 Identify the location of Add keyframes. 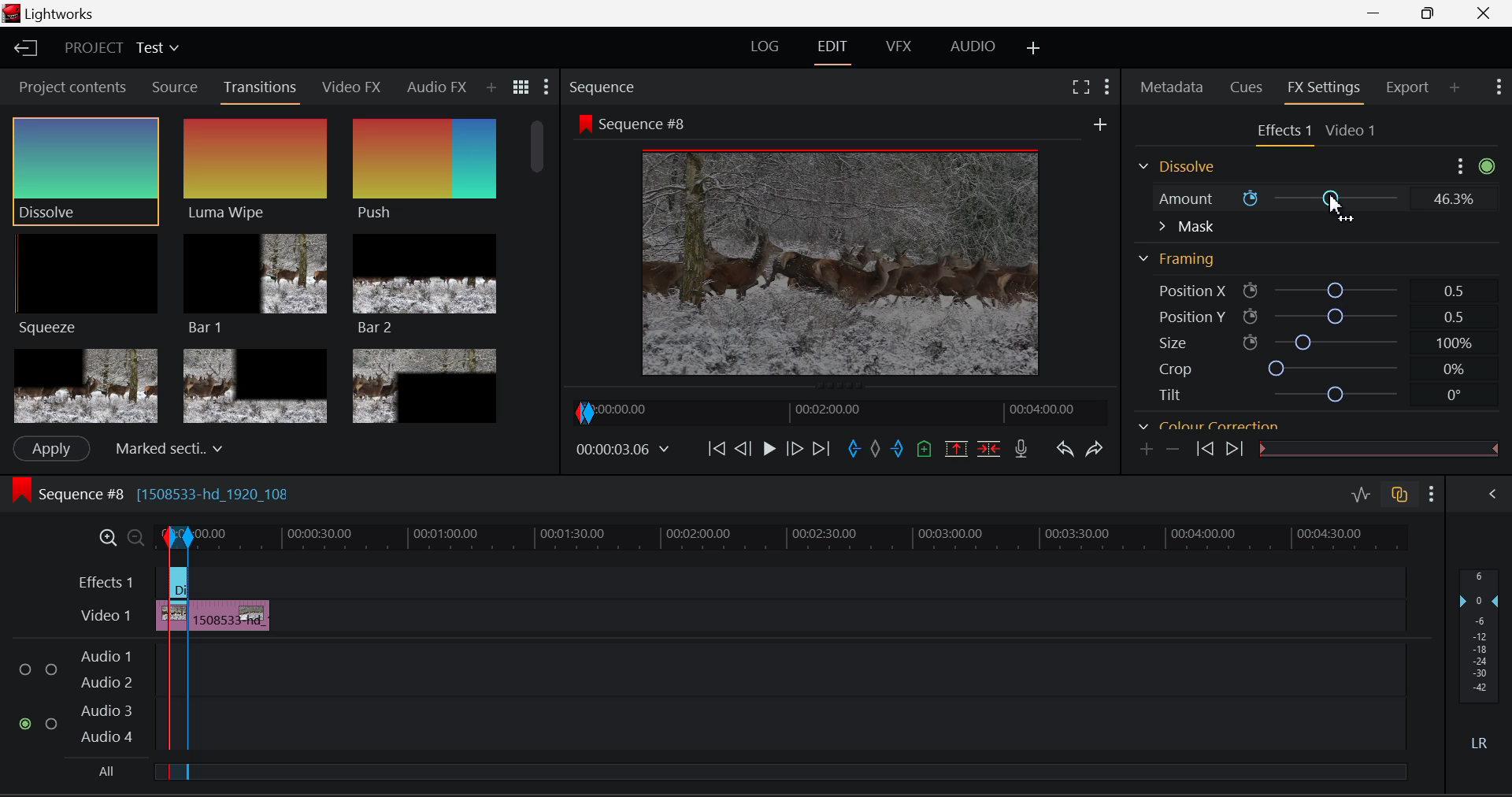
(1147, 450).